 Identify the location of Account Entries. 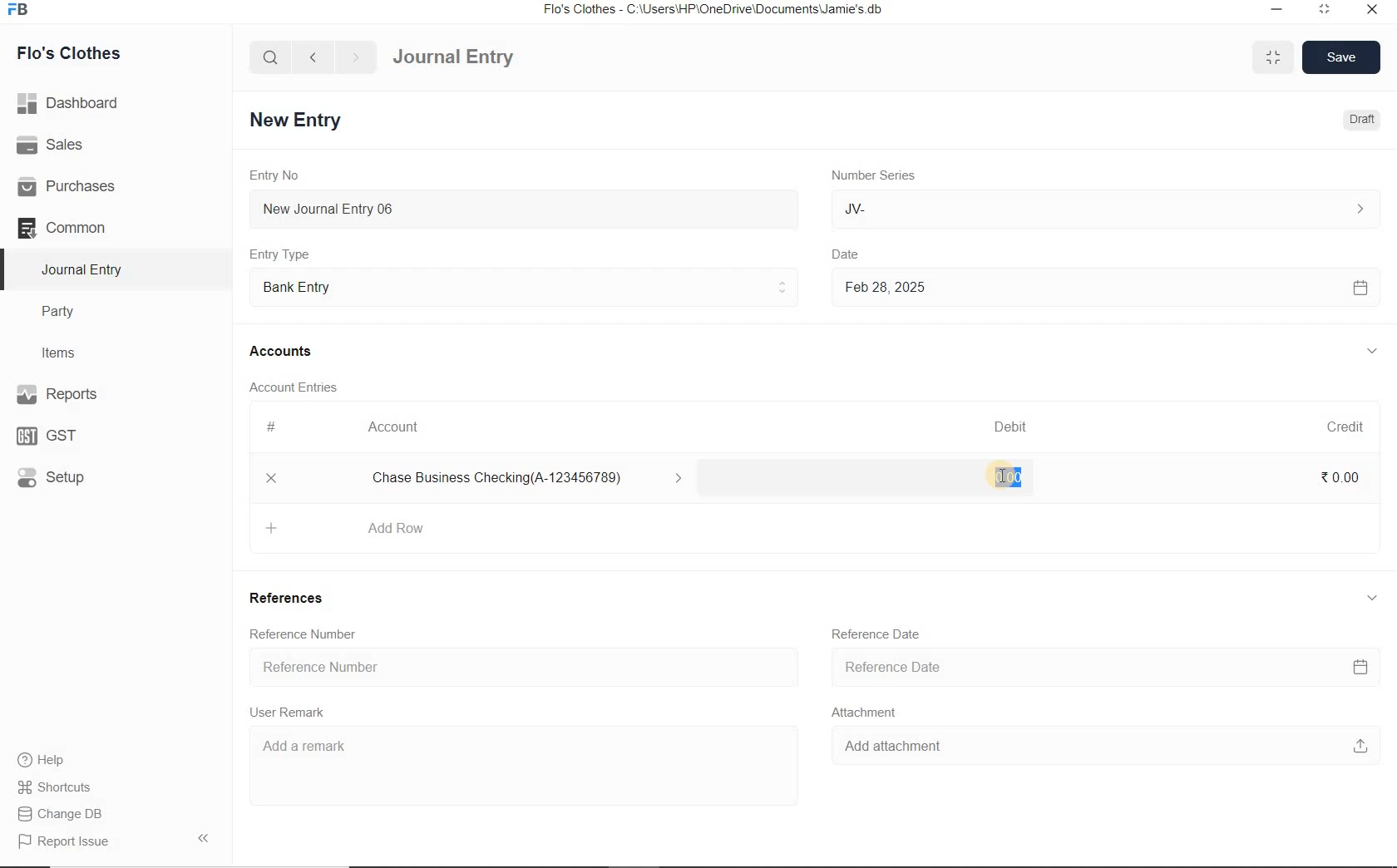
(300, 387).